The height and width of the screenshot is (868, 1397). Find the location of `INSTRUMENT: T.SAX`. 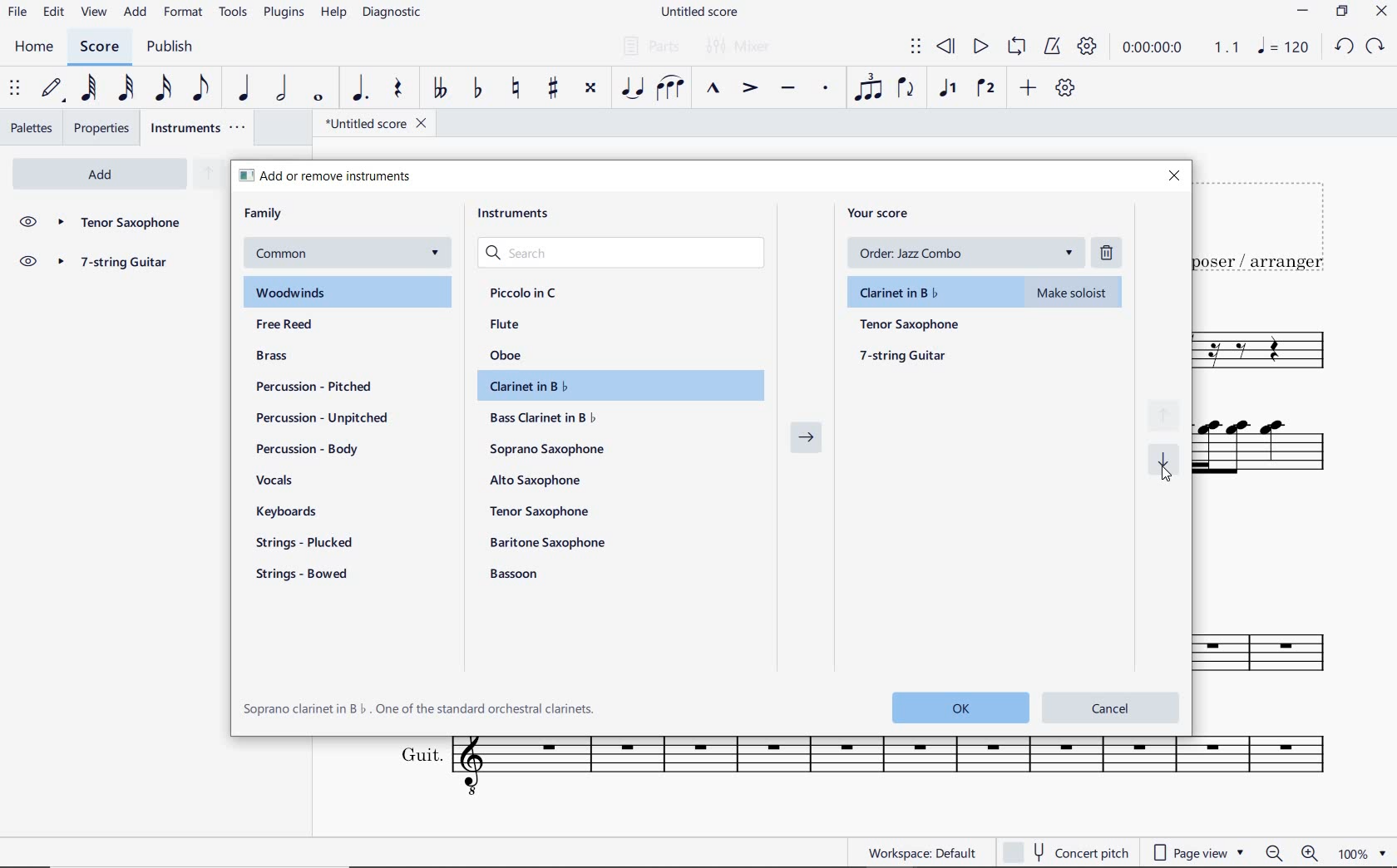

INSTRUMENT: T.SAX is located at coordinates (1273, 640).